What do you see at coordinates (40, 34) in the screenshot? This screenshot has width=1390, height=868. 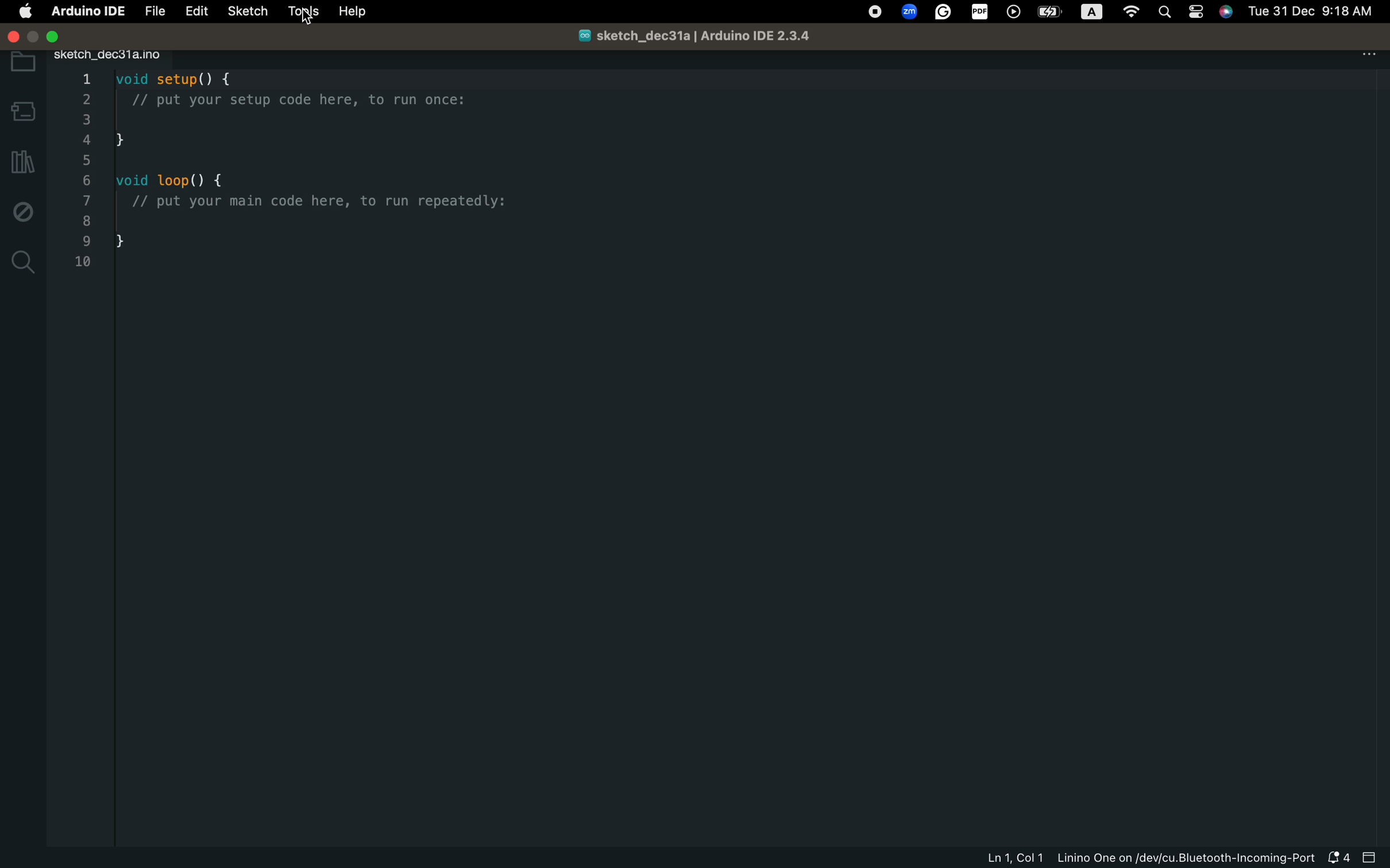 I see `window control` at bounding box center [40, 34].